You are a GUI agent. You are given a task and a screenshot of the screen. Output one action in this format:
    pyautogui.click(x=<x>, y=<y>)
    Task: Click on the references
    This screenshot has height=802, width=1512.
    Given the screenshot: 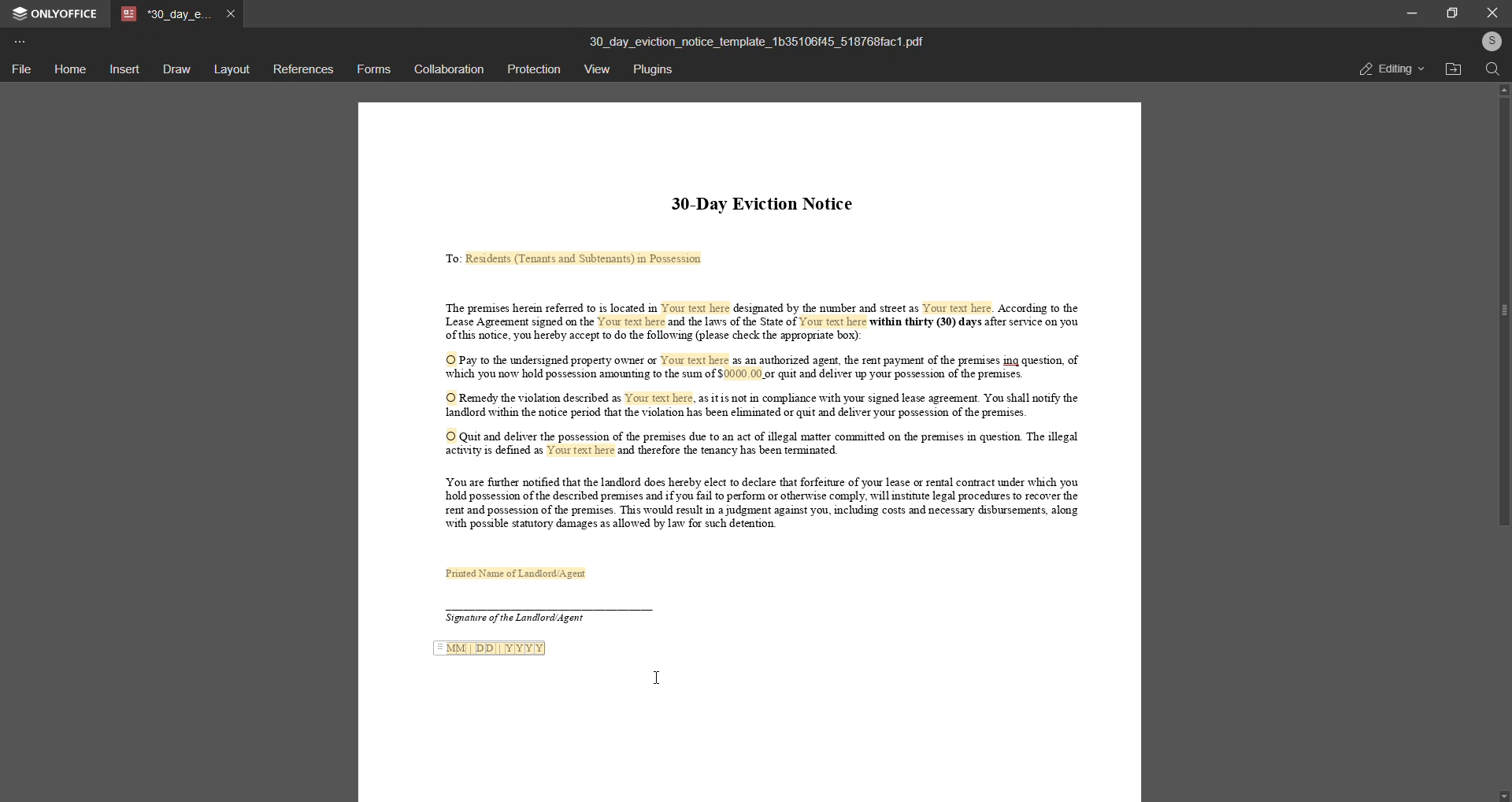 What is the action you would take?
    pyautogui.click(x=302, y=69)
    